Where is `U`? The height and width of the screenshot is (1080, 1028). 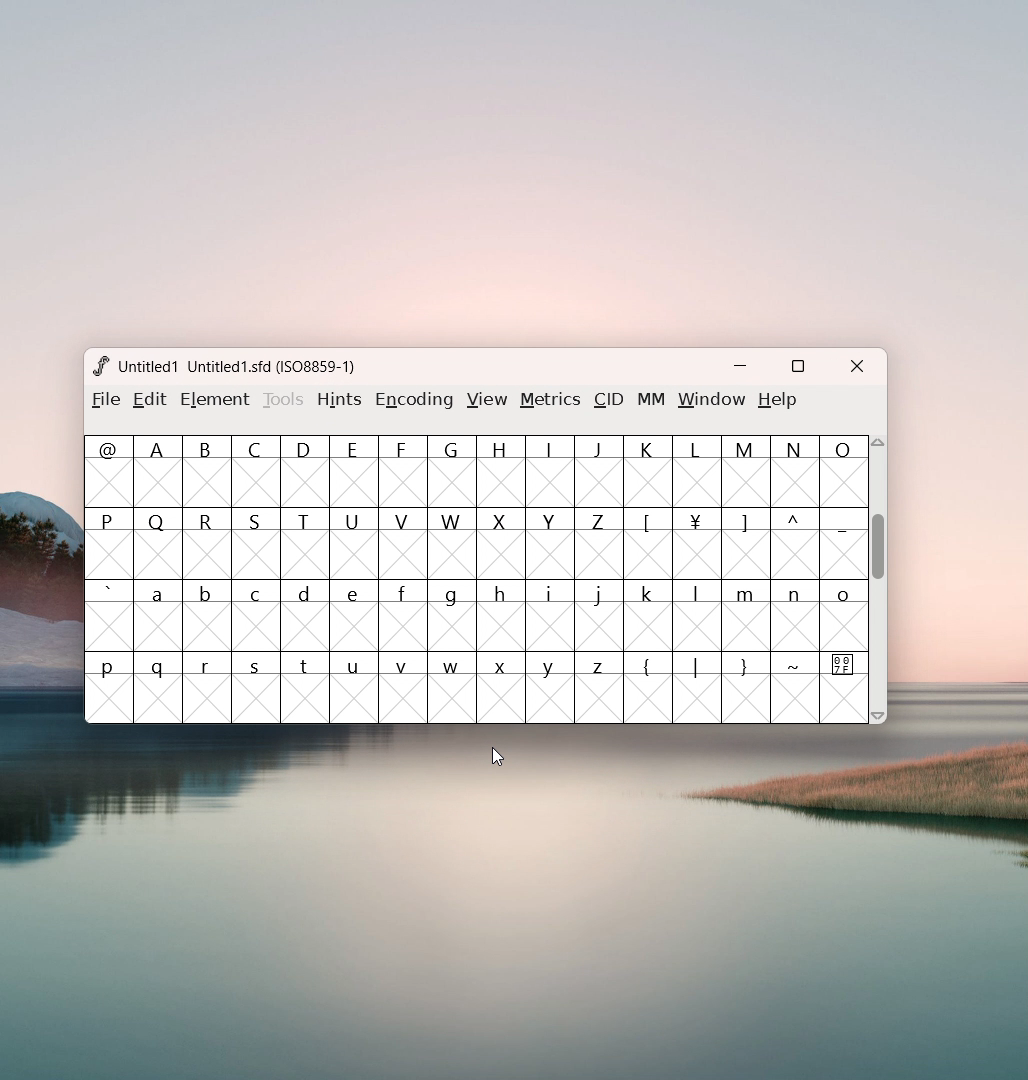
U is located at coordinates (356, 545).